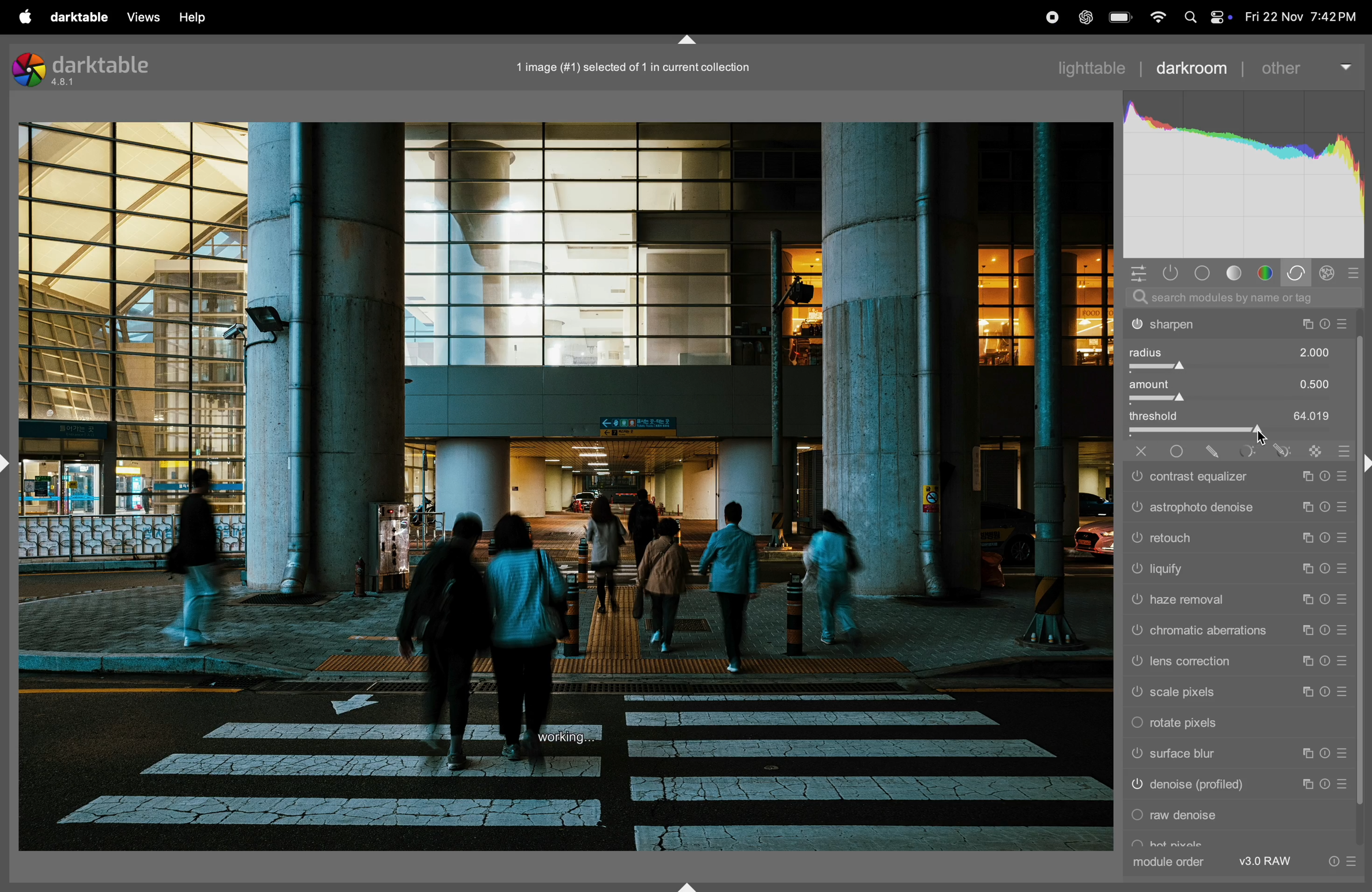  What do you see at coordinates (1343, 448) in the screenshot?
I see `reset` at bounding box center [1343, 448].